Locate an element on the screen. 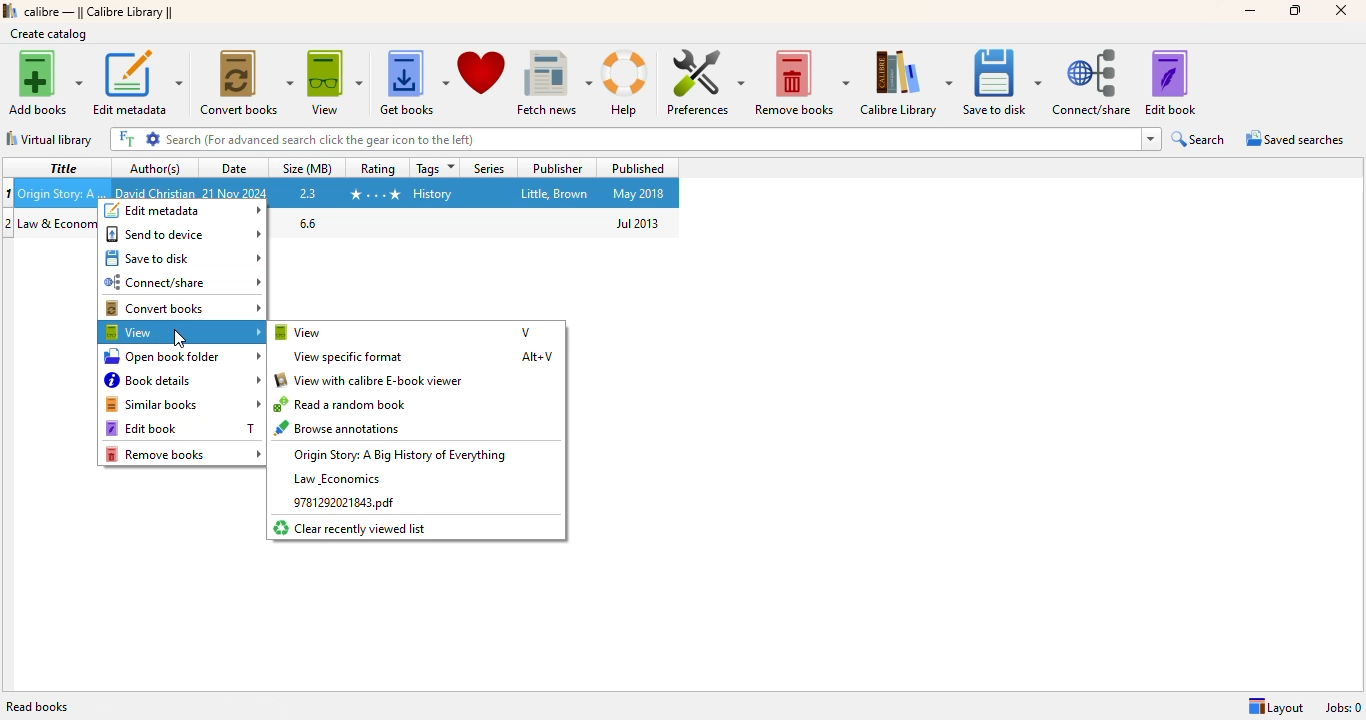  Title is located at coordinates (63, 191).